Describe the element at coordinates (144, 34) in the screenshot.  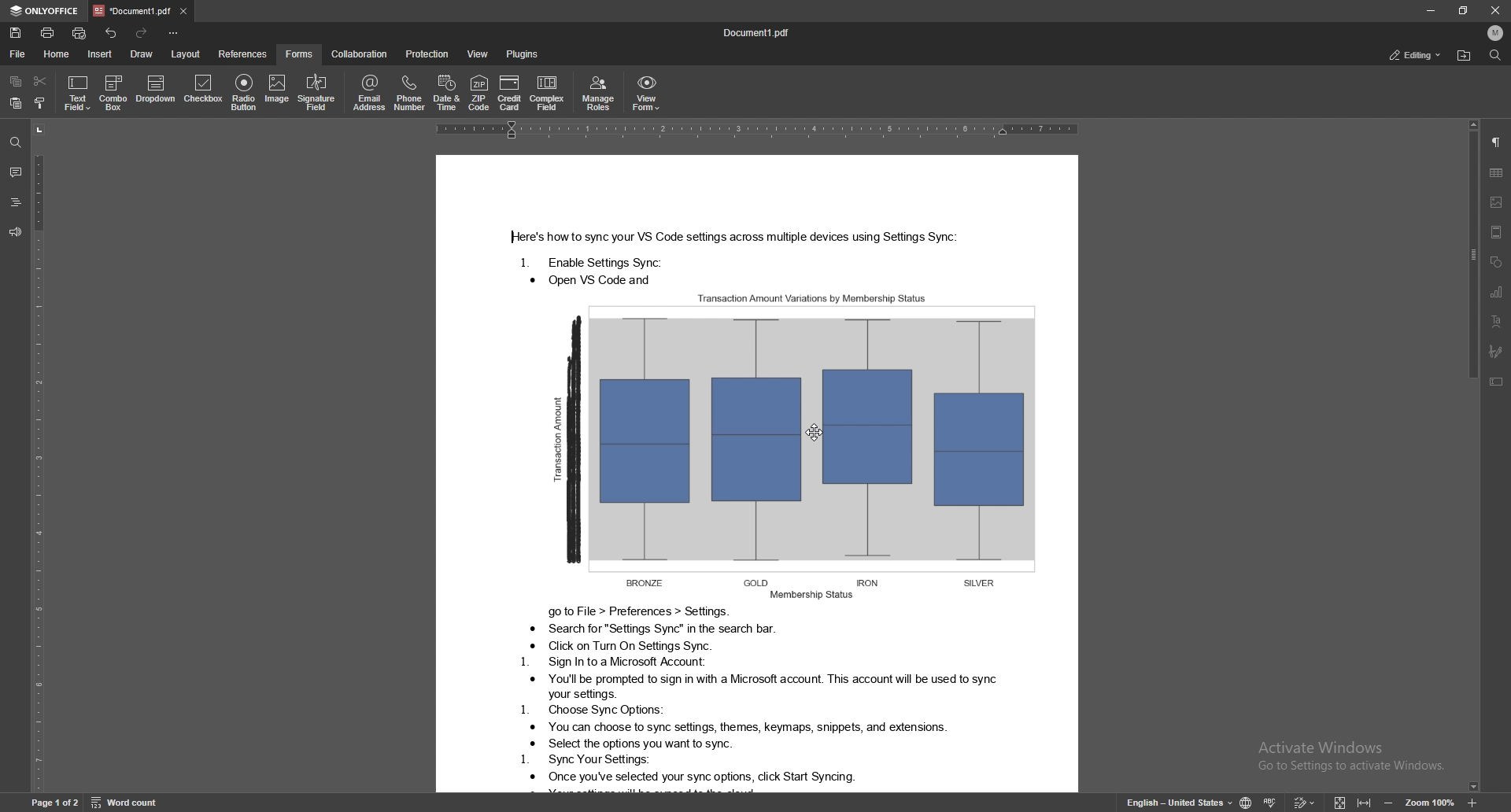
I see `redo` at that location.